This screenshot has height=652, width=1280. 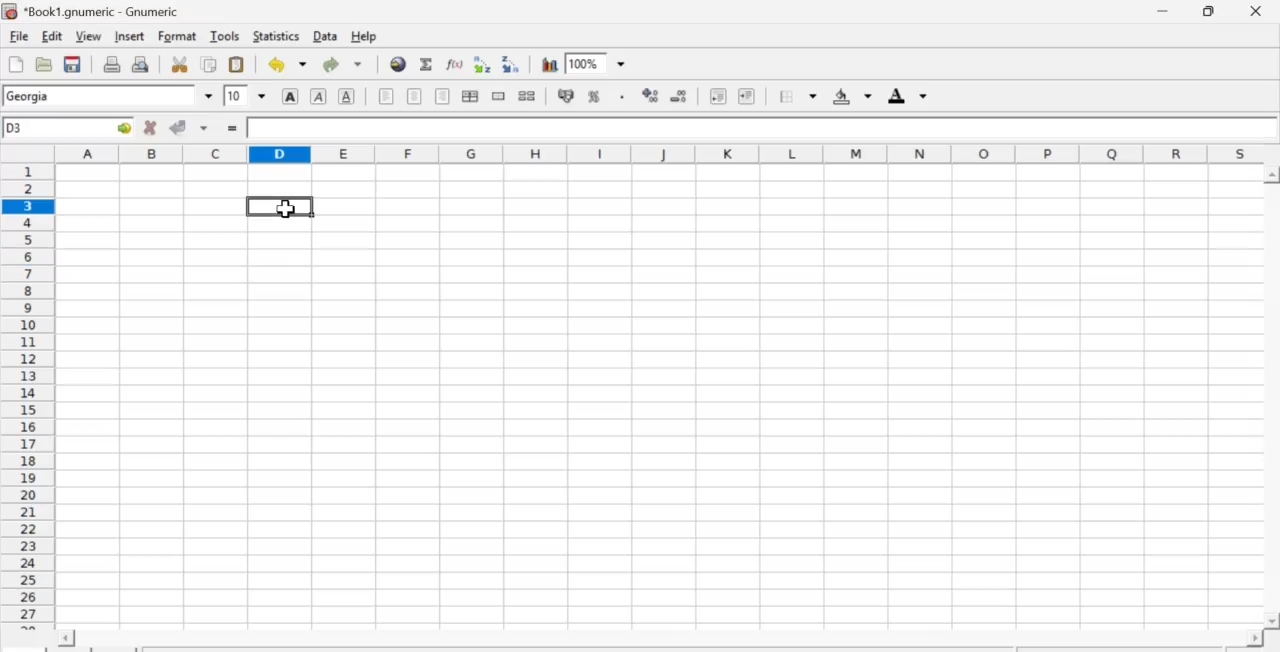 I want to click on Decrease indent, so click(x=717, y=96).